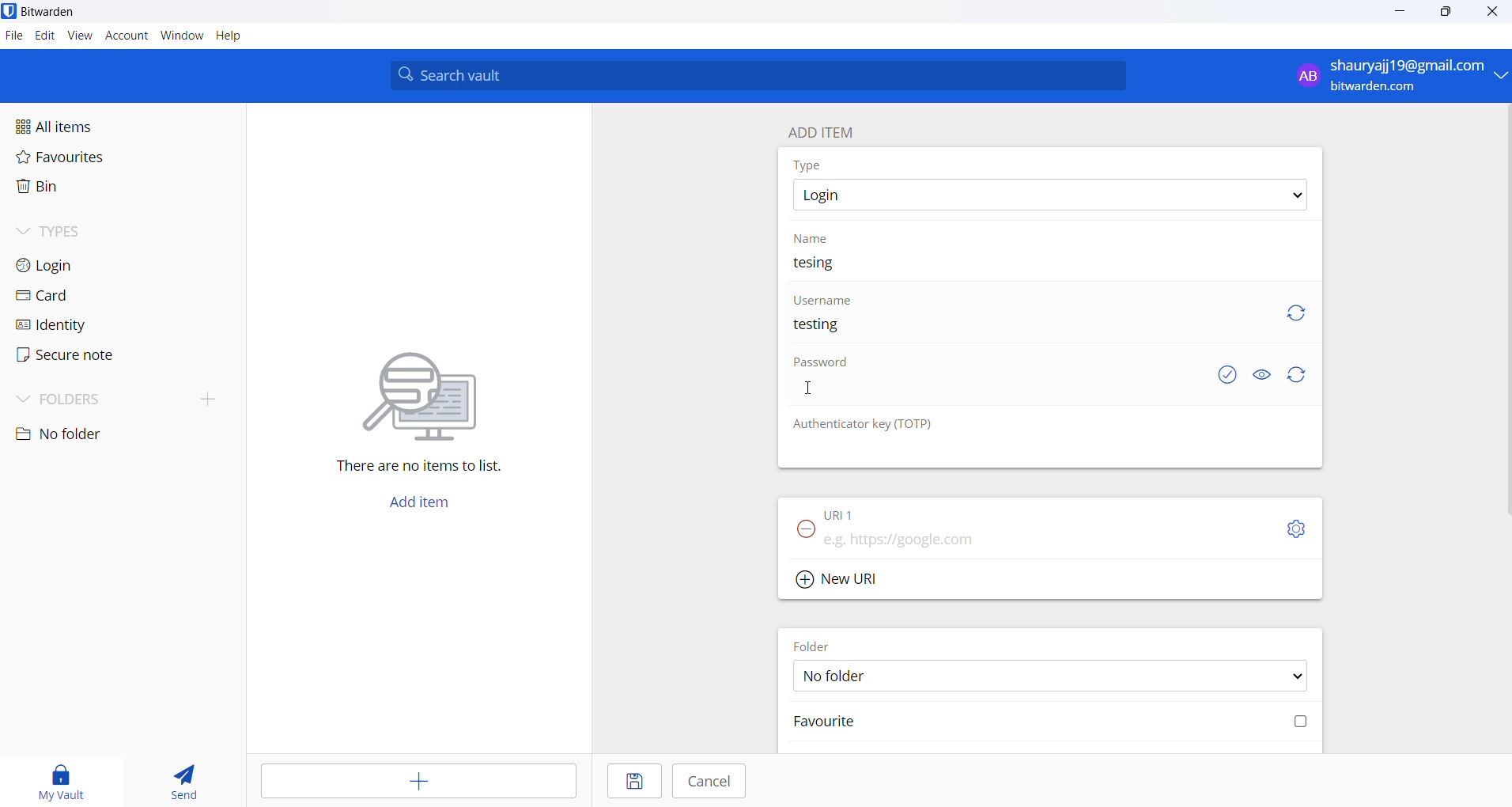  I want to click on graphical illustration conveying searching for a file, so click(435, 393).